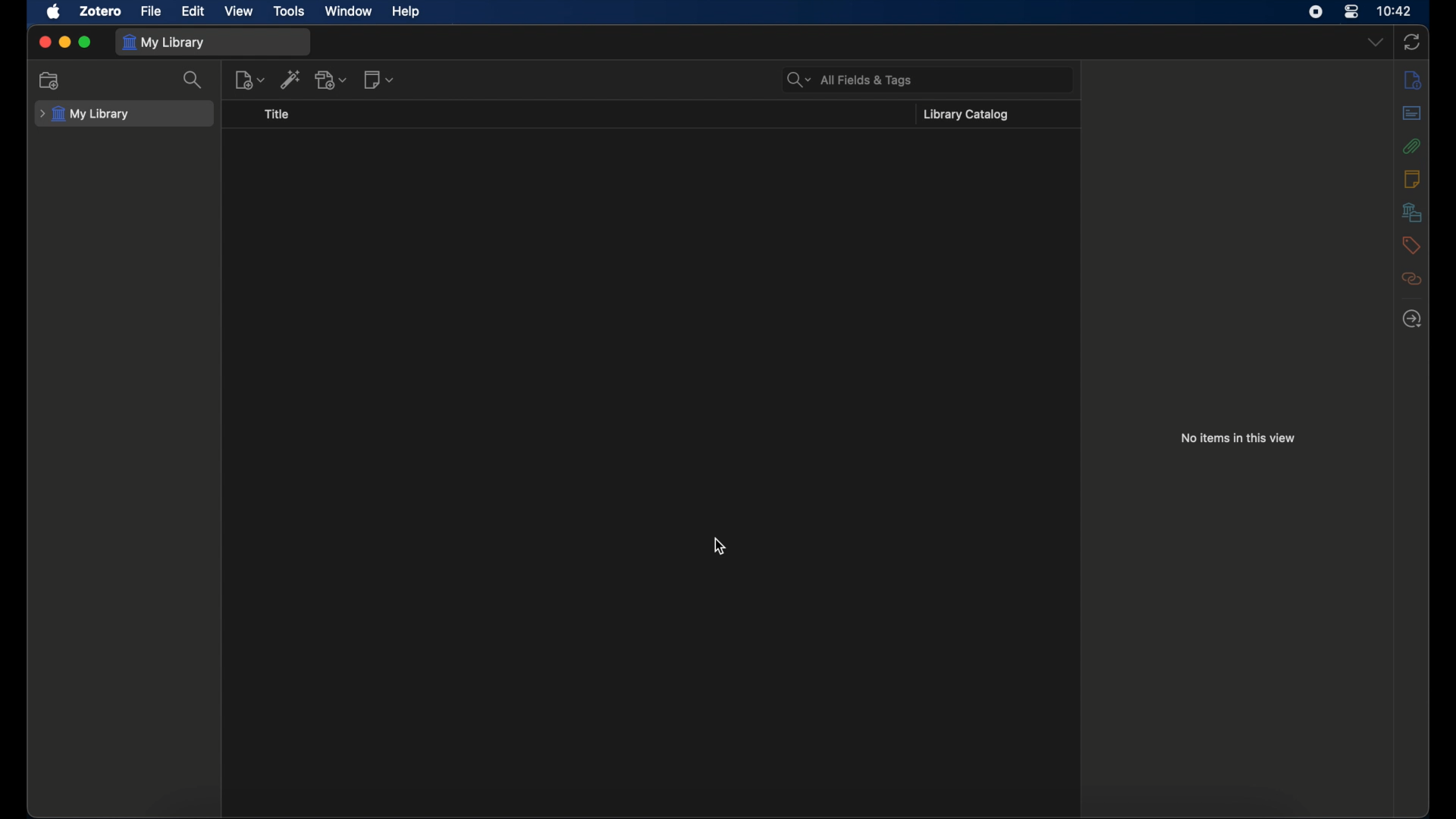 This screenshot has width=1456, height=819. What do you see at coordinates (1411, 245) in the screenshot?
I see `tags` at bounding box center [1411, 245].